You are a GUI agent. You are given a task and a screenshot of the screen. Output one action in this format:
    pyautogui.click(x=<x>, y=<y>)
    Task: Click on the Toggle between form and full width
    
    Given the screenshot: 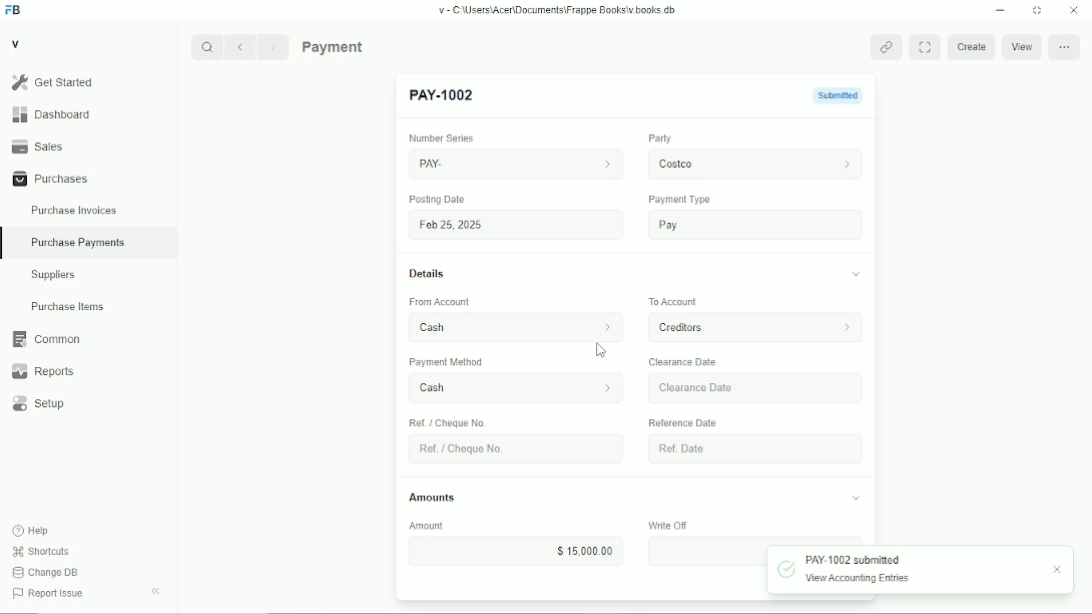 What is the action you would take?
    pyautogui.click(x=924, y=47)
    